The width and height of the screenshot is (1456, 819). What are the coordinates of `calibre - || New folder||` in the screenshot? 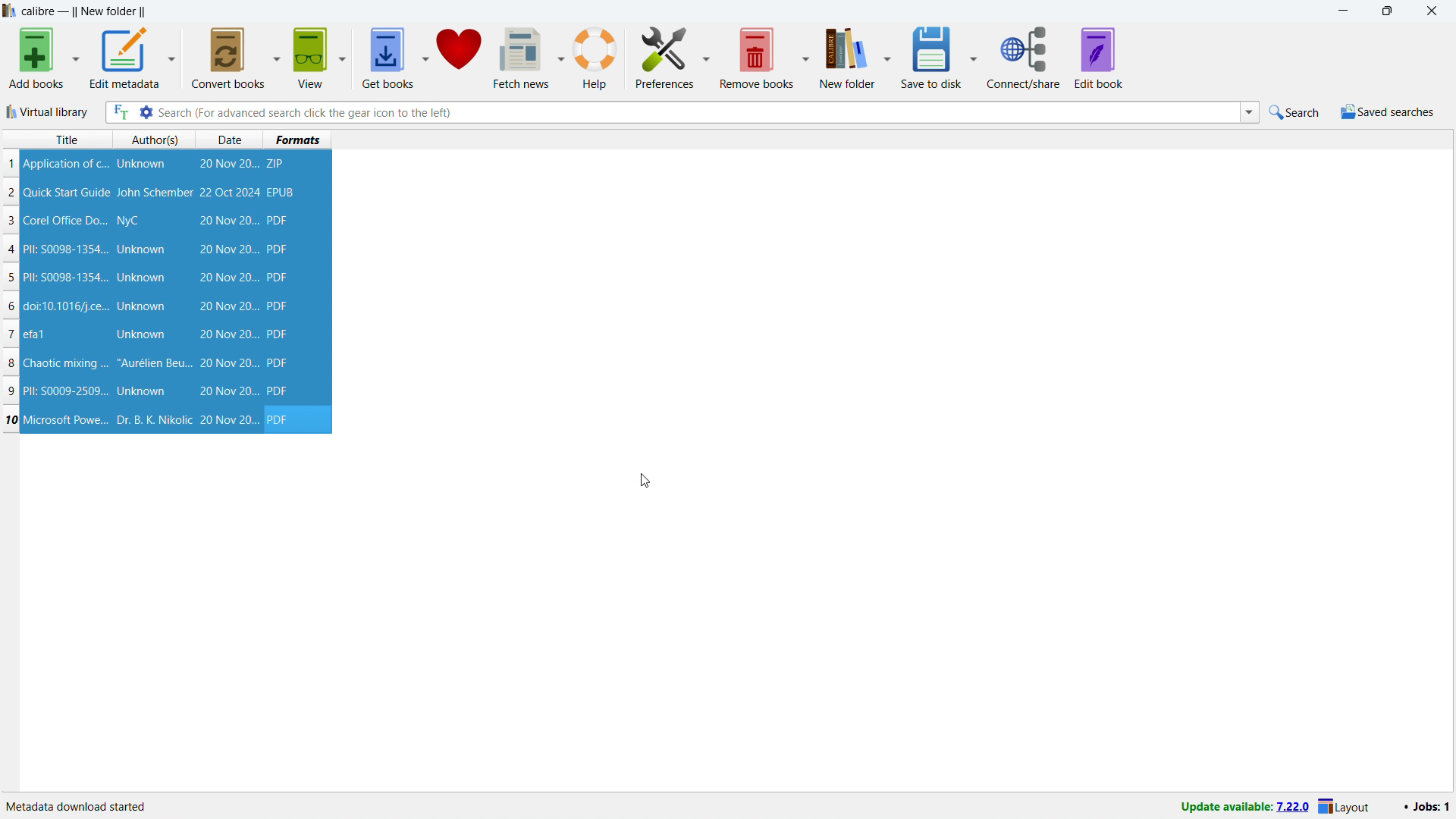 It's located at (86, 11).